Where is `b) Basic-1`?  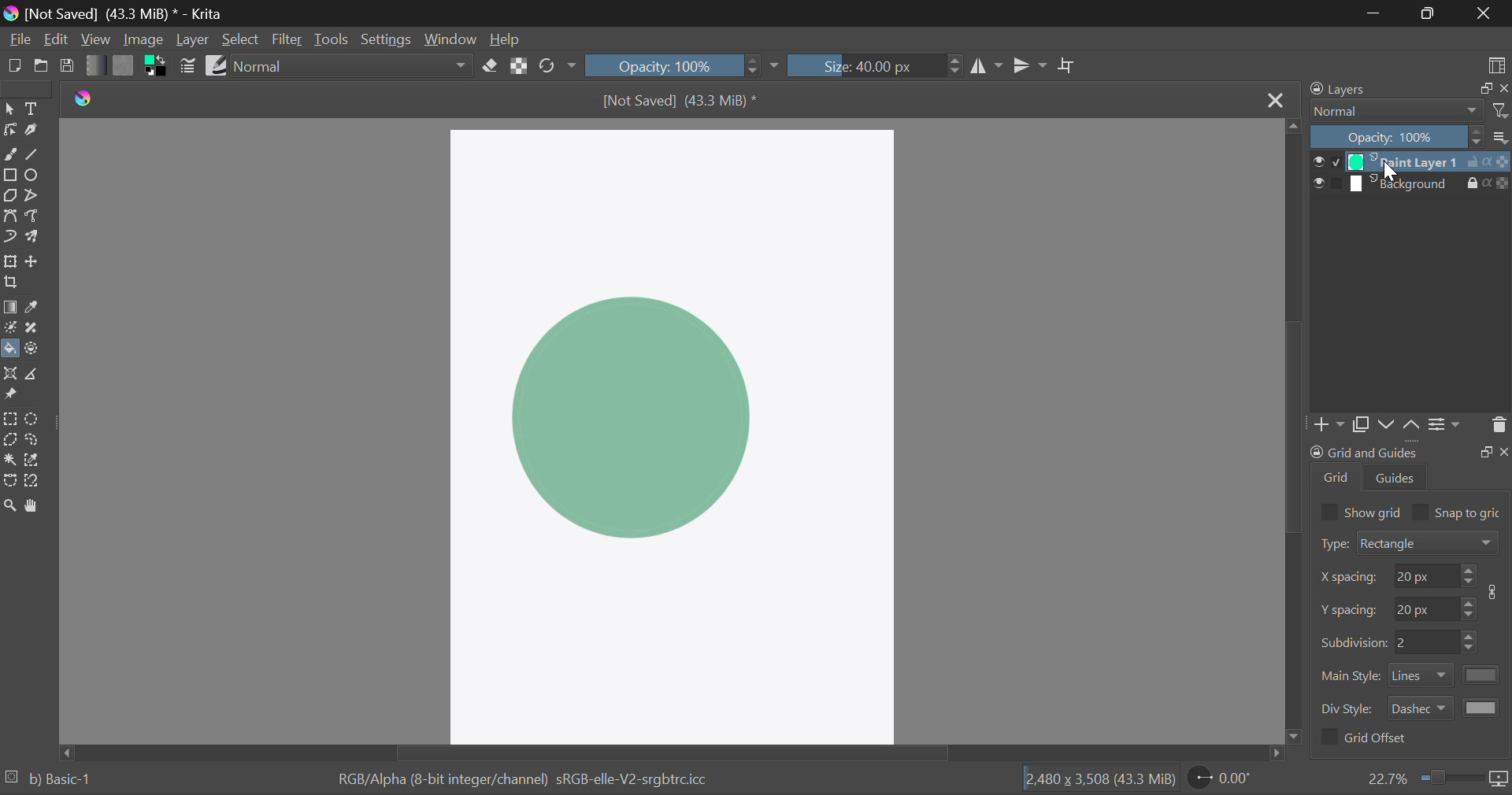 b) Basic-1 is located at coordinates (60, 781).